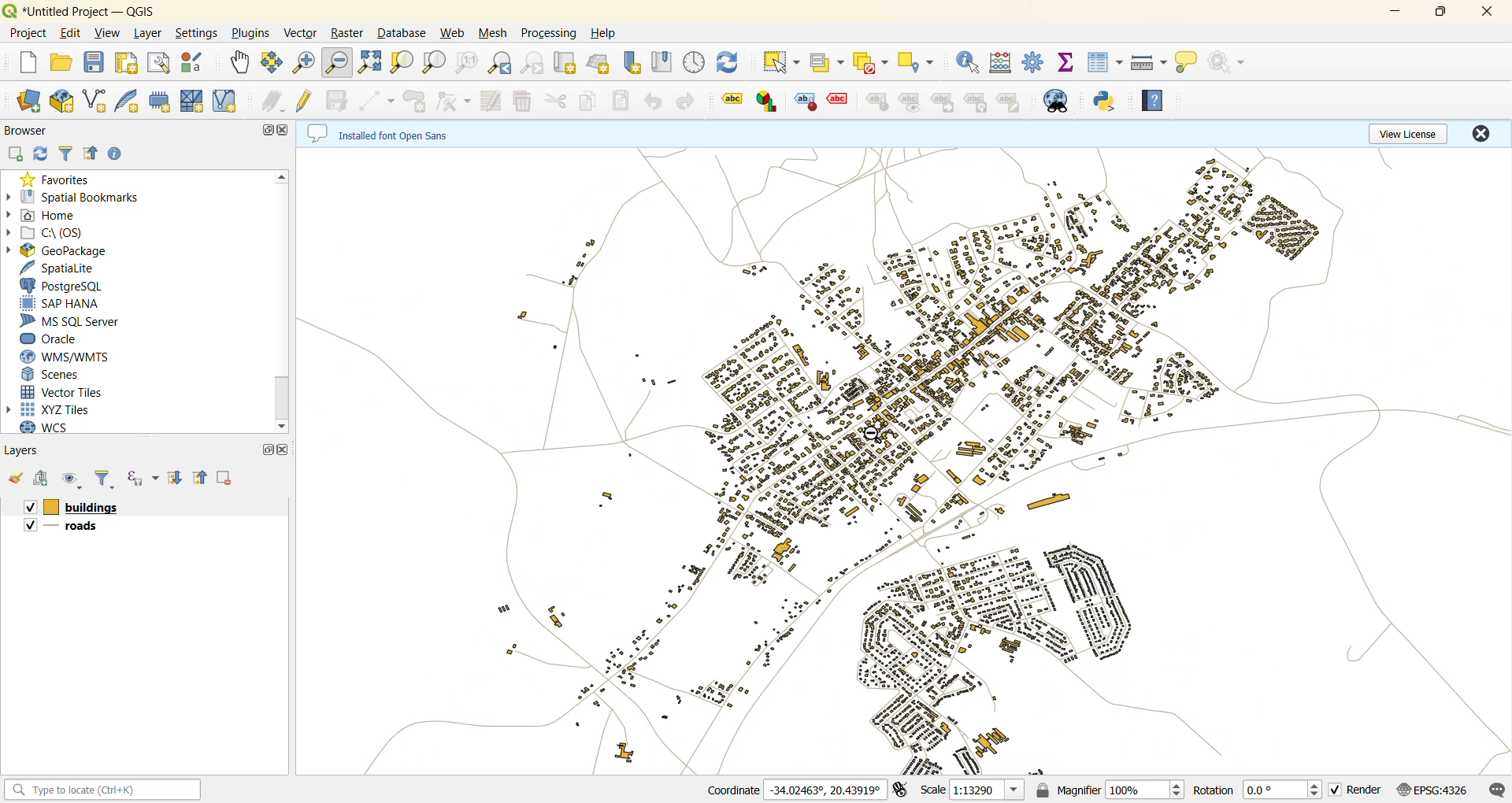  Describe the element at coordinates (283, 452) in the screenshot. I see `close` at that location.